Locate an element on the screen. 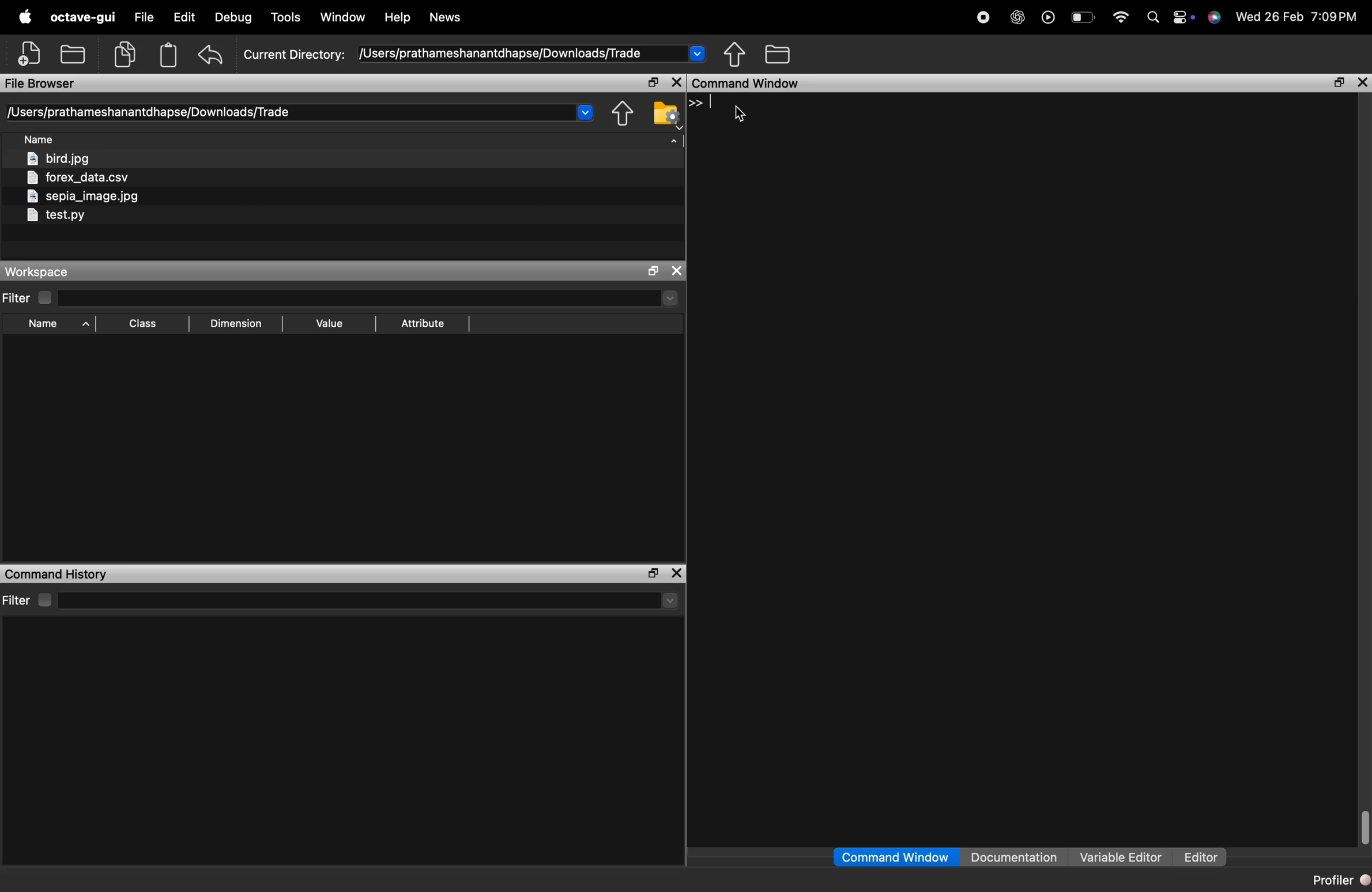 This screenshot has height=892, width=1372. one directory up is located at coordinates (736, 54).